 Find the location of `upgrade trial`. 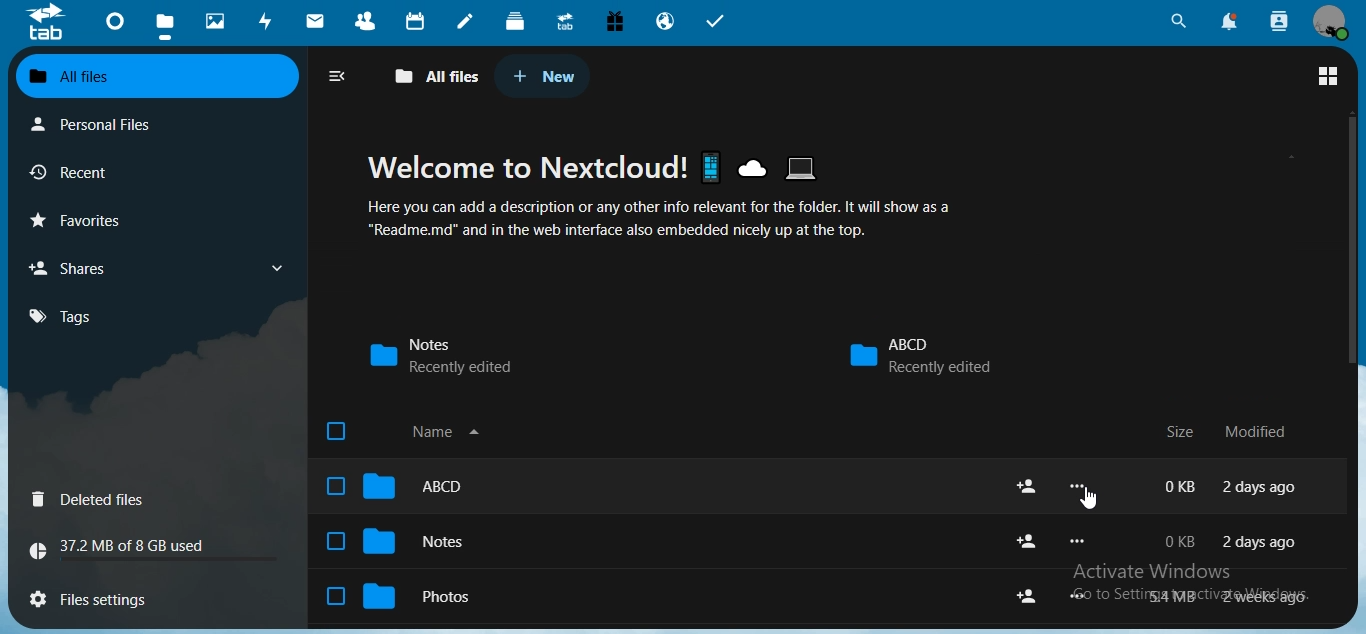

upgrade trial is located at coordinates (562, 20).